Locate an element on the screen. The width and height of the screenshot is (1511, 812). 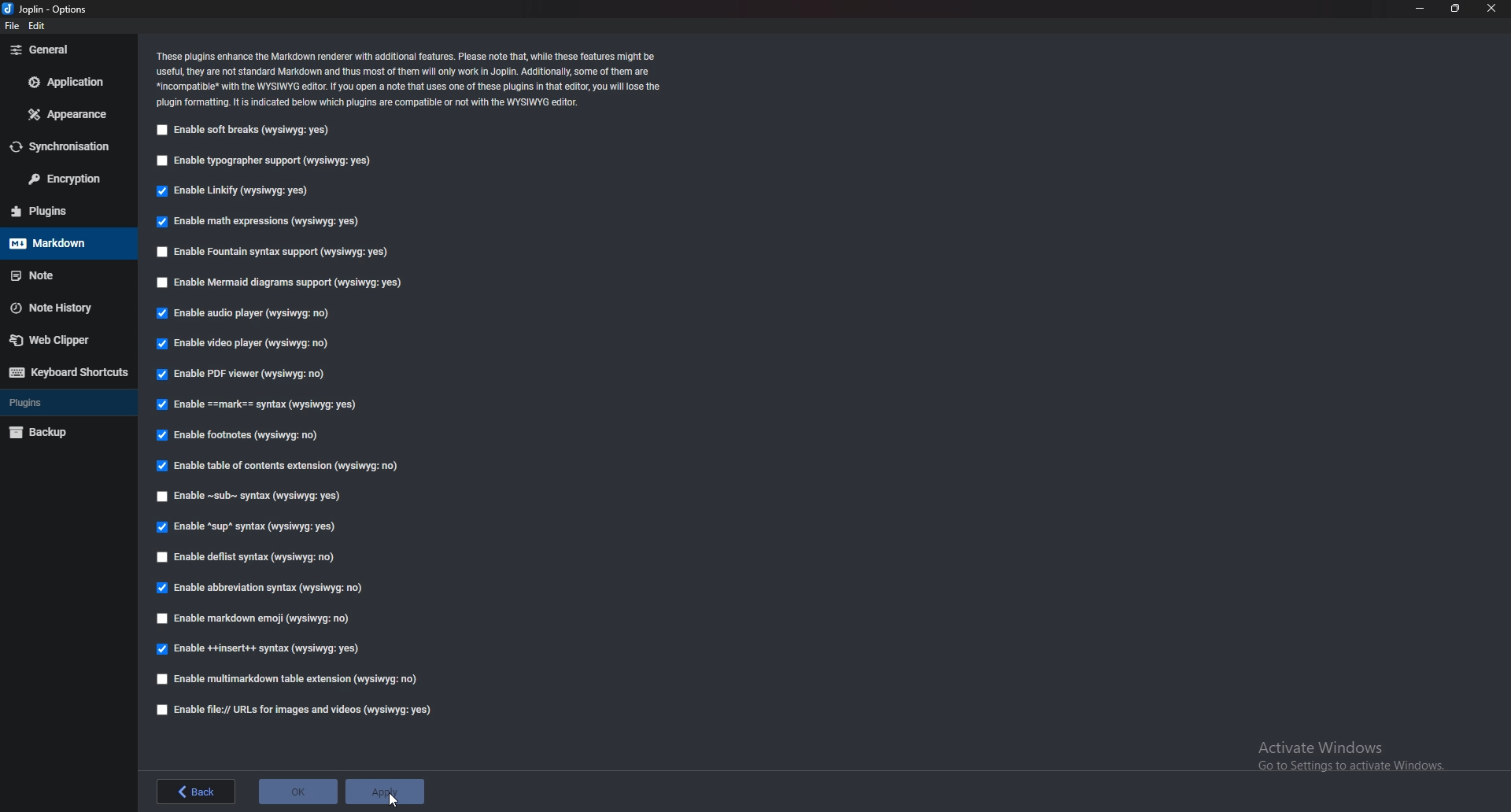
Enable math expressions is located at coordinates (261, 222).